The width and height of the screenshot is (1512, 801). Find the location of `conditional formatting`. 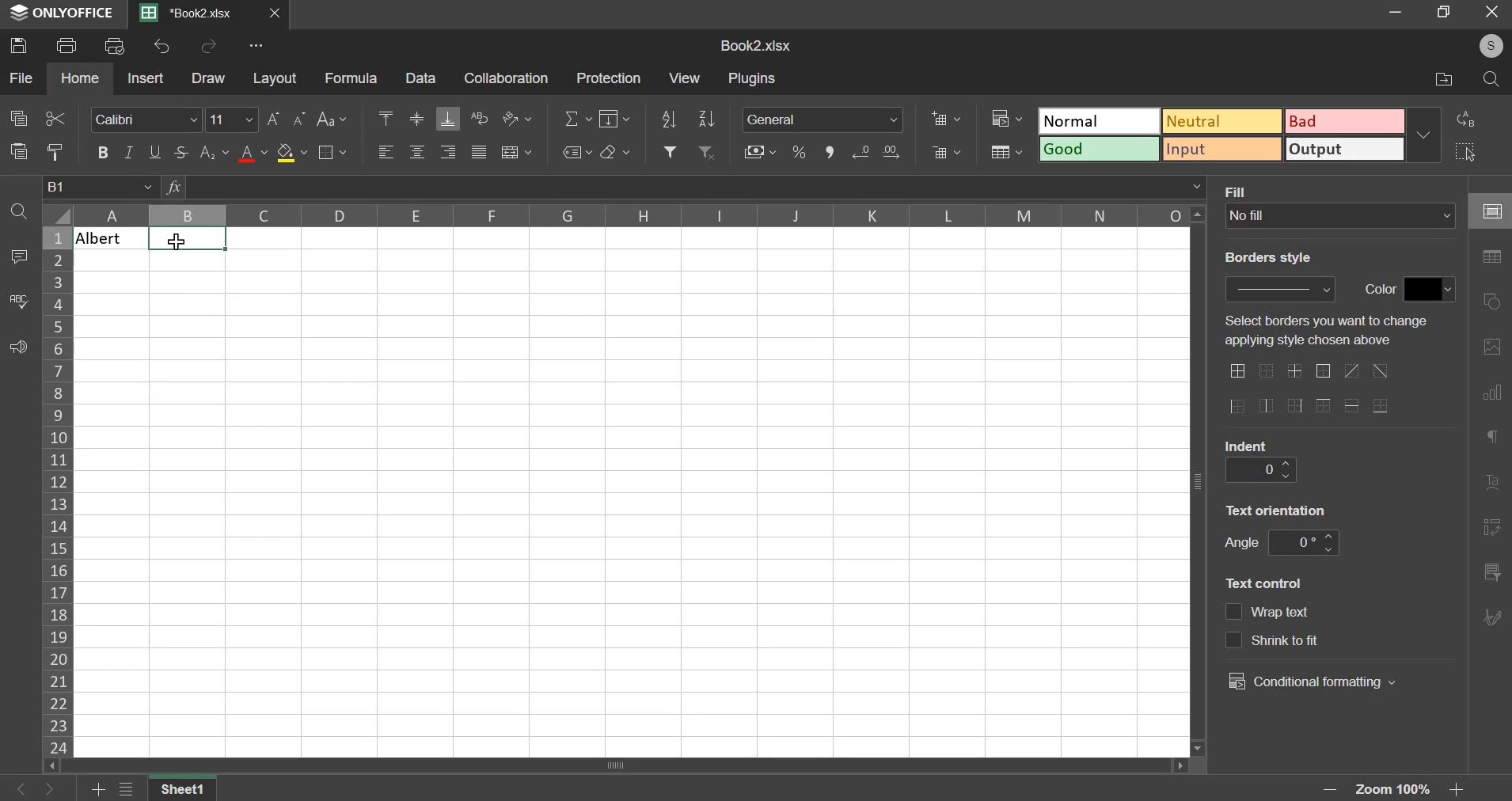

conditional formatting is located at coordinates (1006, 116).